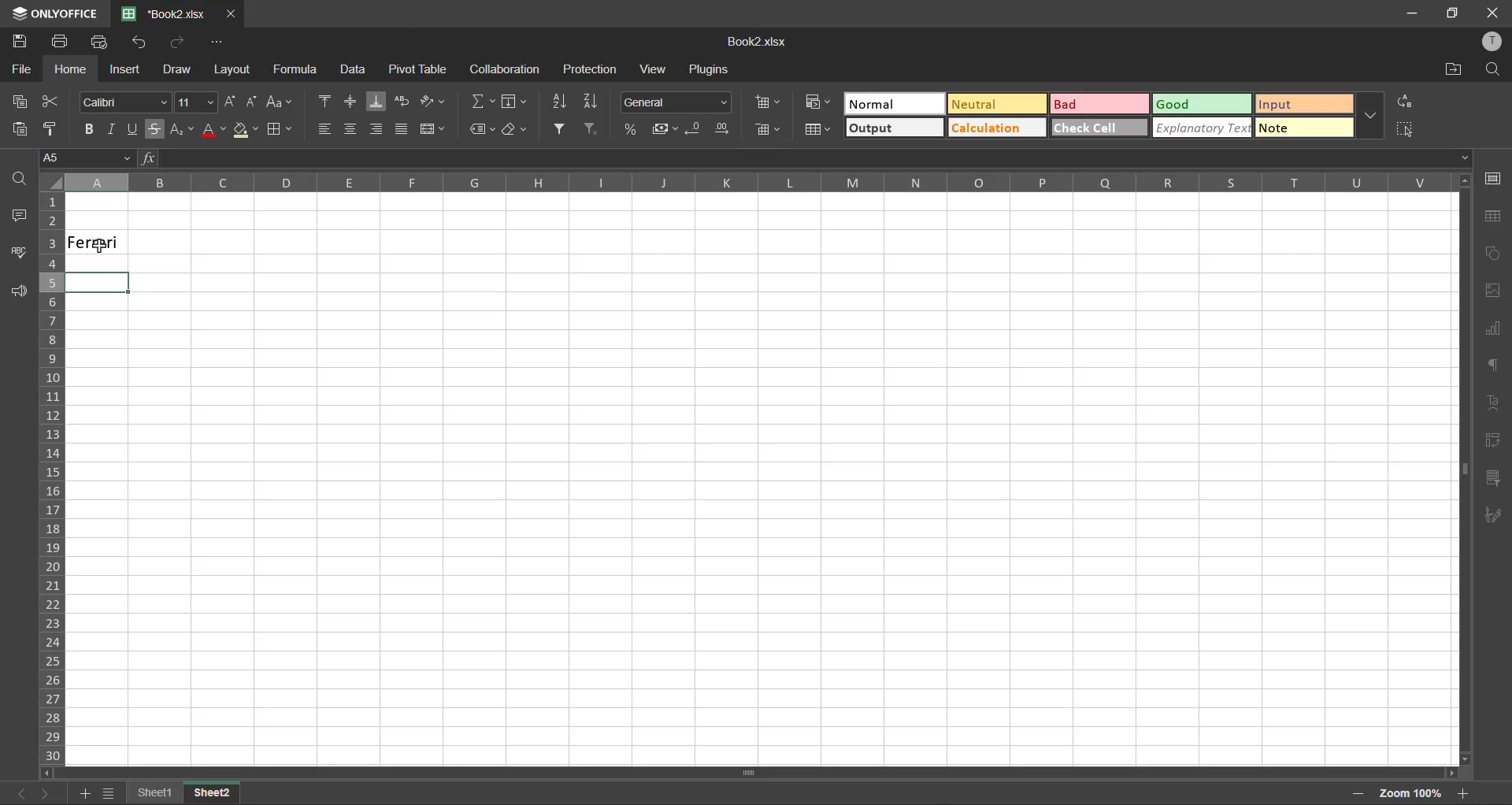  I want to click on Ferrari, so click(94, 243).